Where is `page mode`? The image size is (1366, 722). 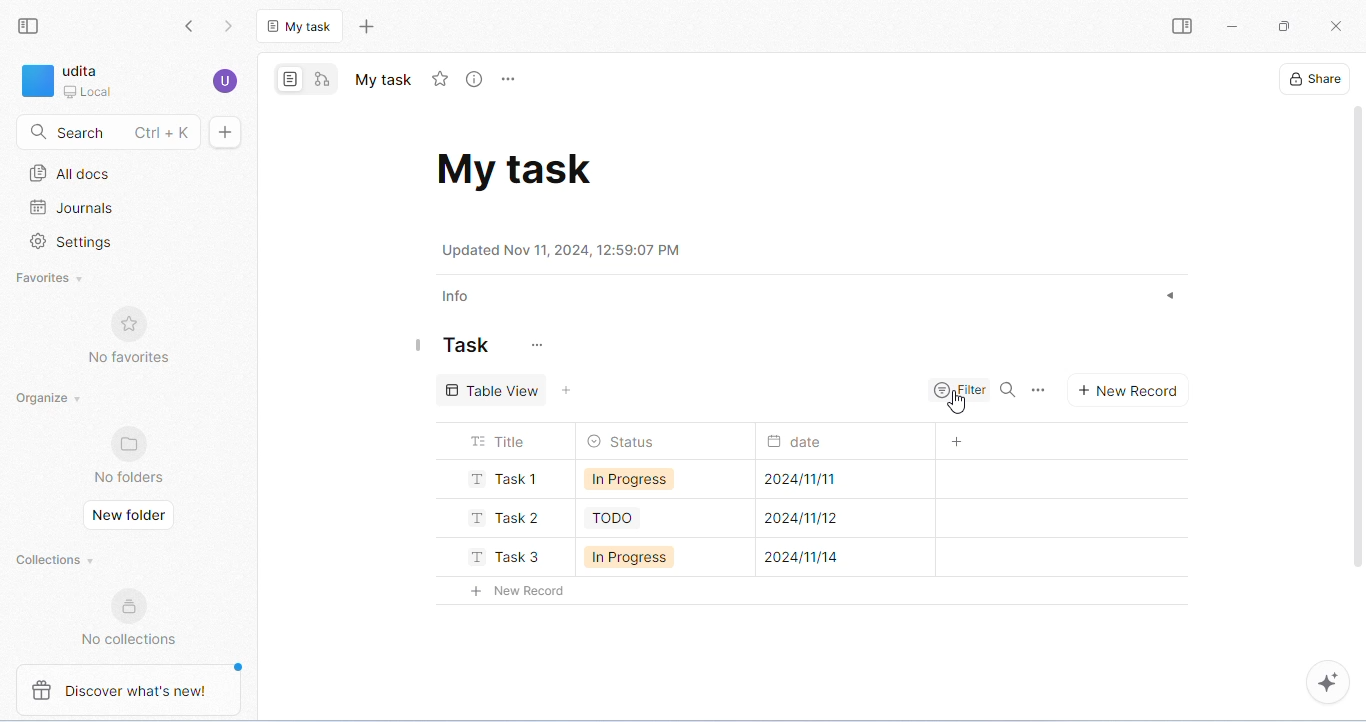 page mode is located at coordinates (291, 78).